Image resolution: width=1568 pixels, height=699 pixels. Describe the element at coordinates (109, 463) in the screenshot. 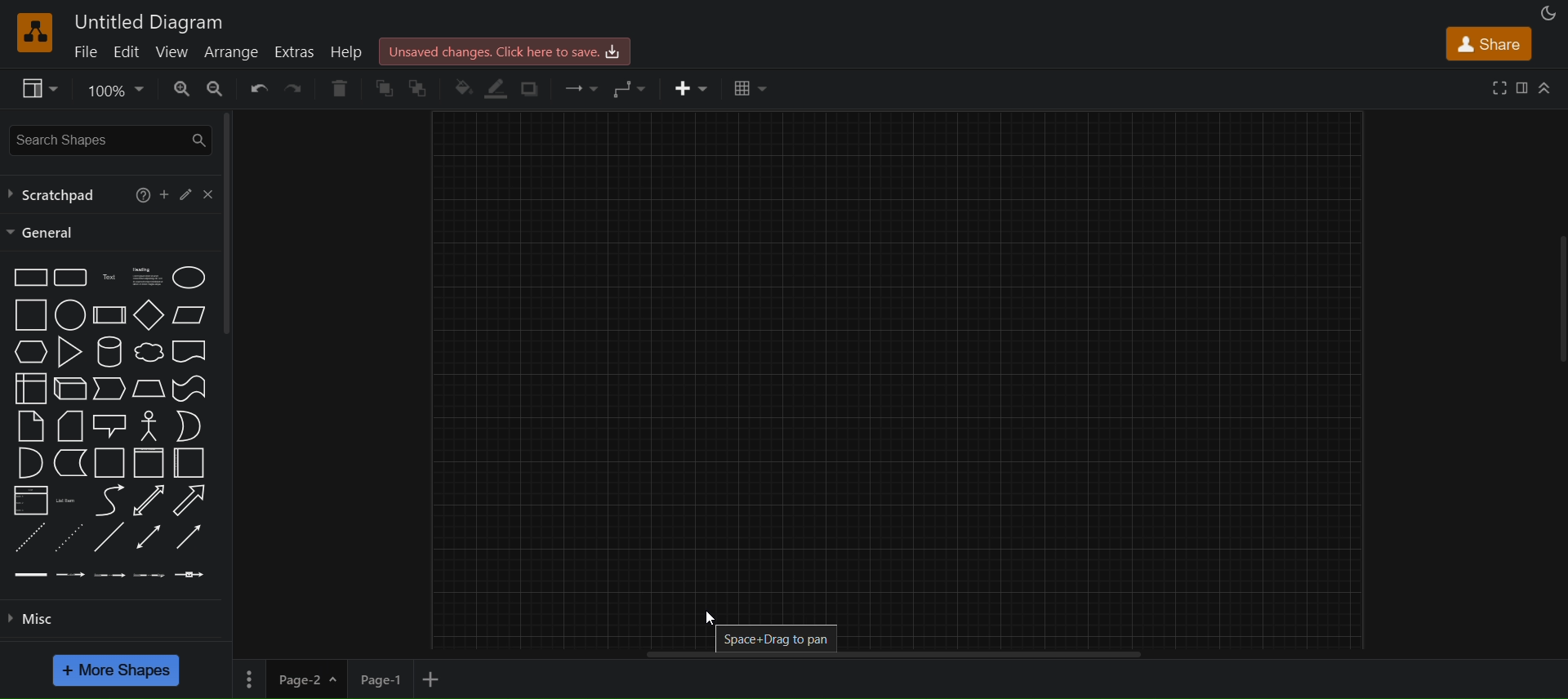

I see `container` at that location.